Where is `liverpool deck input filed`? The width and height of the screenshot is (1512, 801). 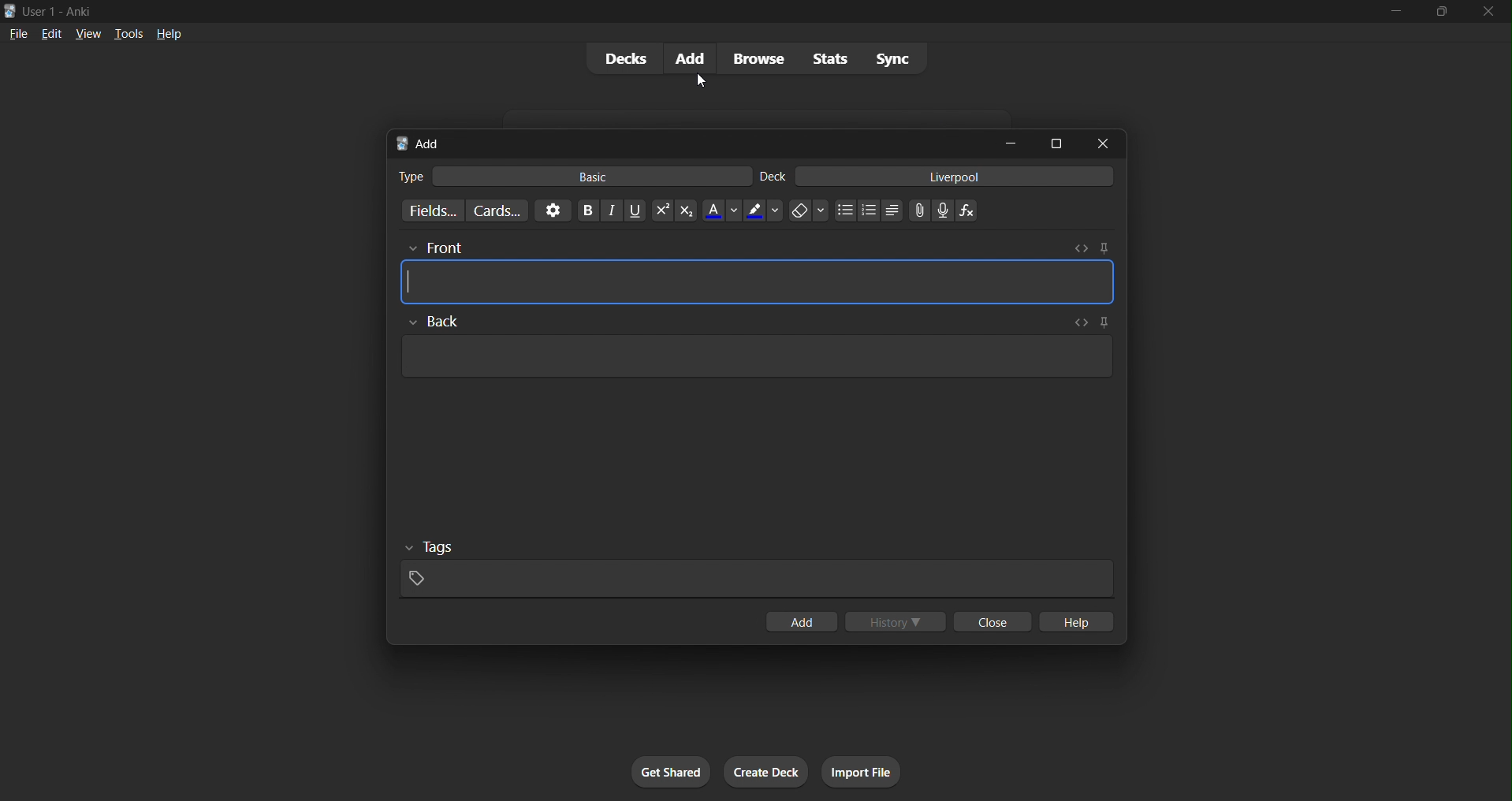 liverpool deck input filed is located at coordinates (937, 176).